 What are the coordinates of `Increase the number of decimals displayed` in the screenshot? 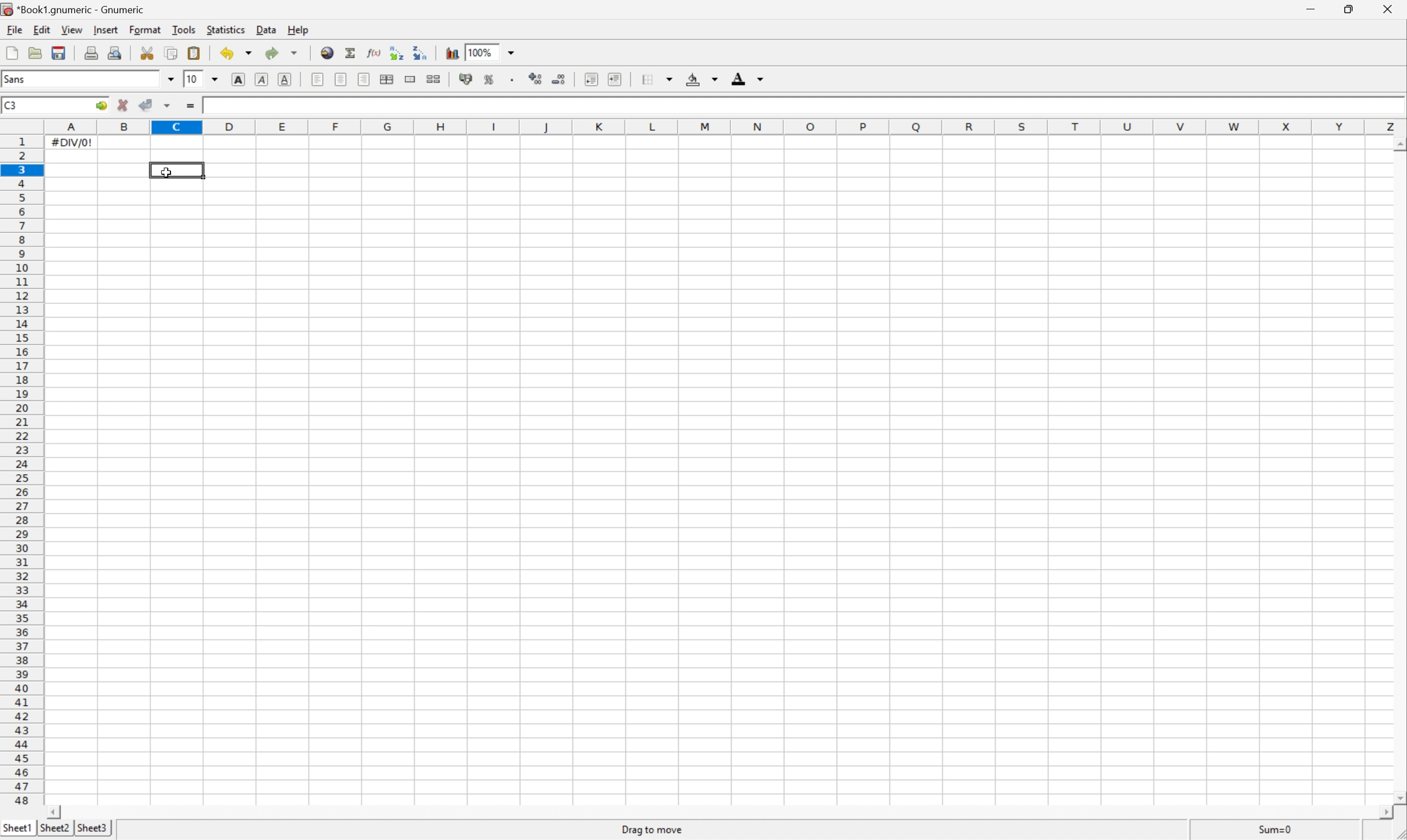 It's located at (537, 79).